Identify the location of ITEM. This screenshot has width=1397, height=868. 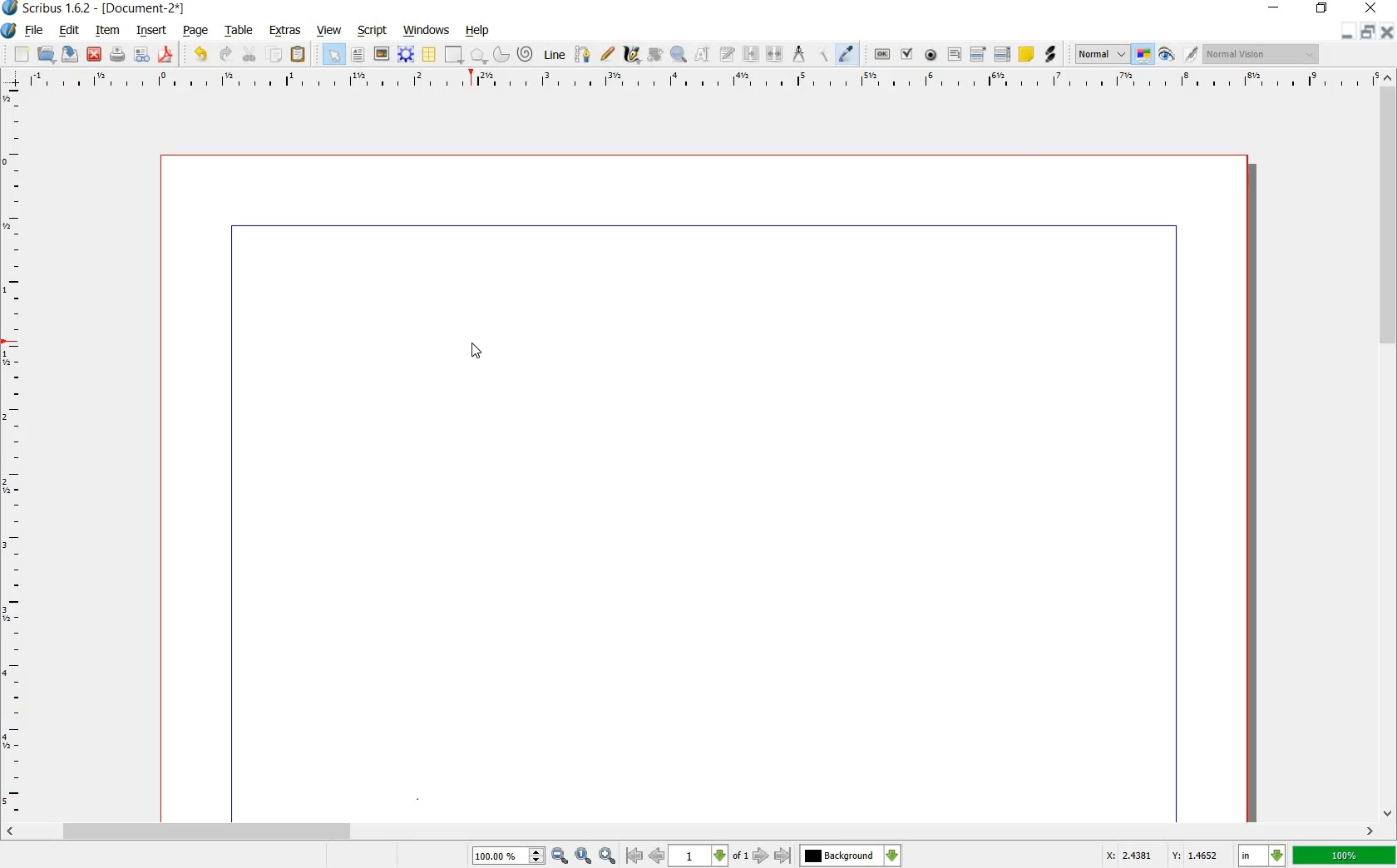
(106, 31).